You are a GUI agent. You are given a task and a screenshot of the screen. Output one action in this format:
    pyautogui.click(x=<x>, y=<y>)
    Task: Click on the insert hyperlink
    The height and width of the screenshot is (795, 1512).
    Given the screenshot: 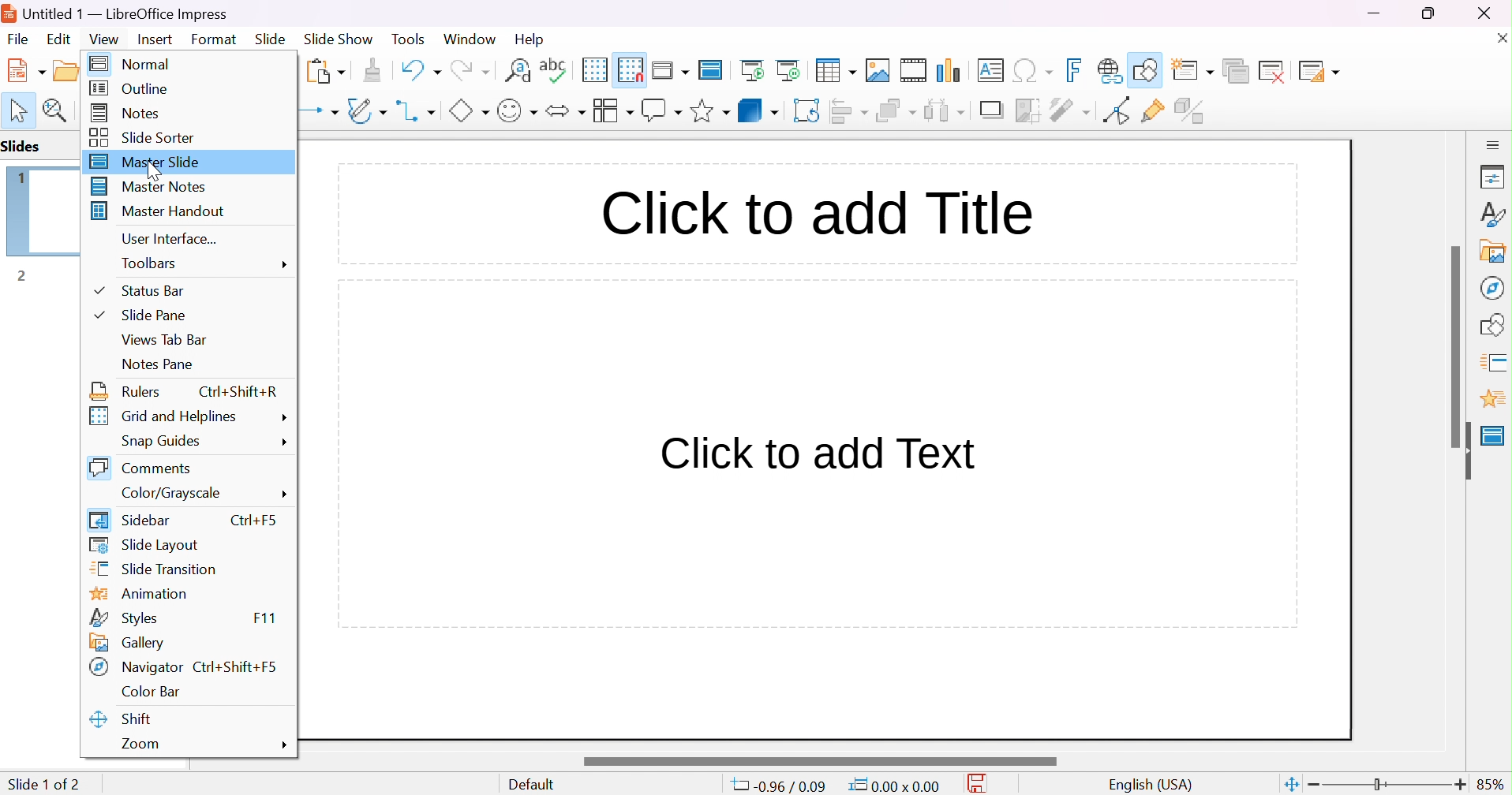 What is the action you would take?
    pyautogui.click(x=1110, y=70)
    